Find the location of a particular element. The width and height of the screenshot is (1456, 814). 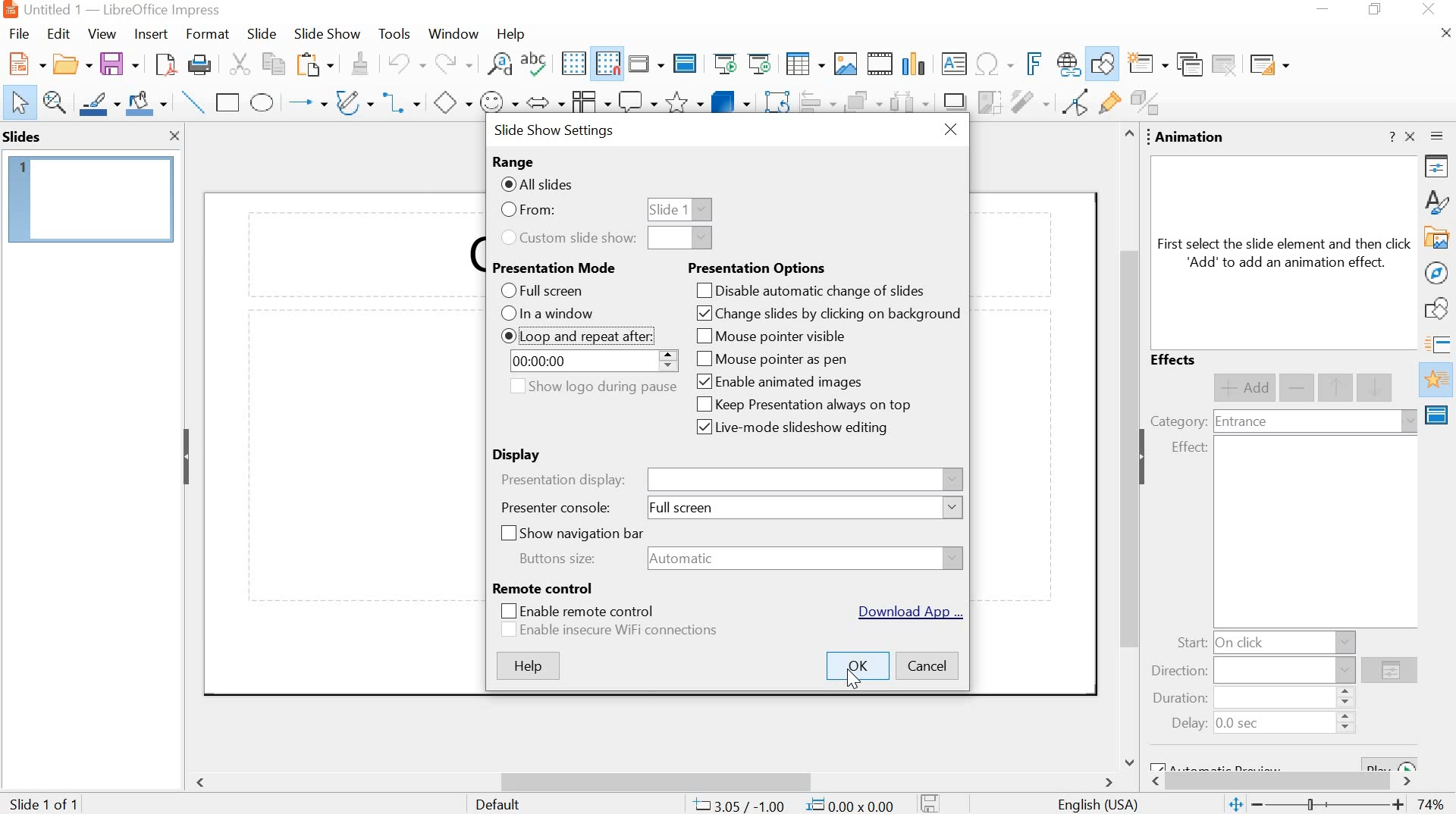

display is located at coordinates (521, 456).